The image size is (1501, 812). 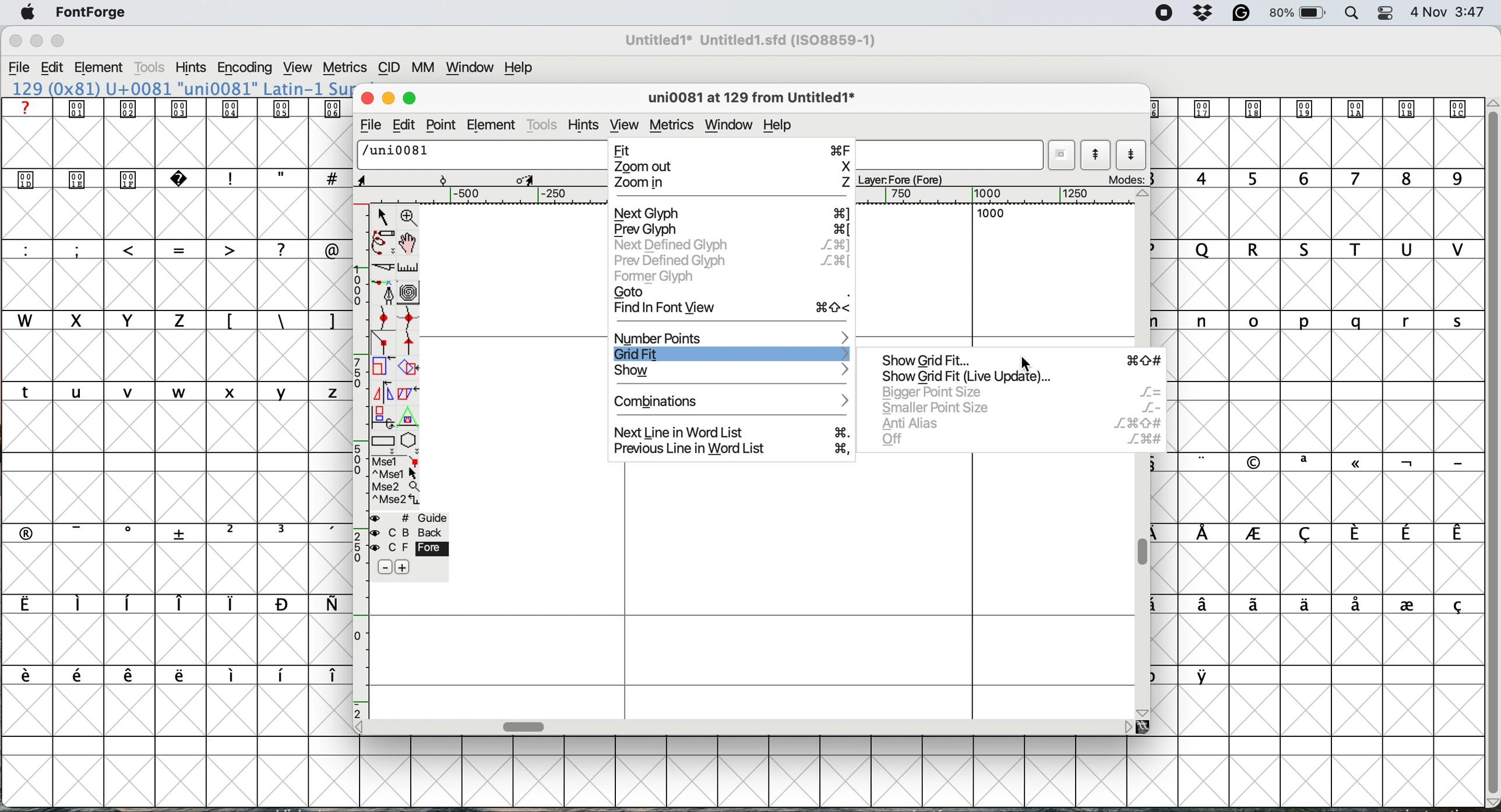 What do you see at coordinates (408, 320) in the screenshot?
I see `add a curve point horizontal or vertical` at bounding box center [408, 320].